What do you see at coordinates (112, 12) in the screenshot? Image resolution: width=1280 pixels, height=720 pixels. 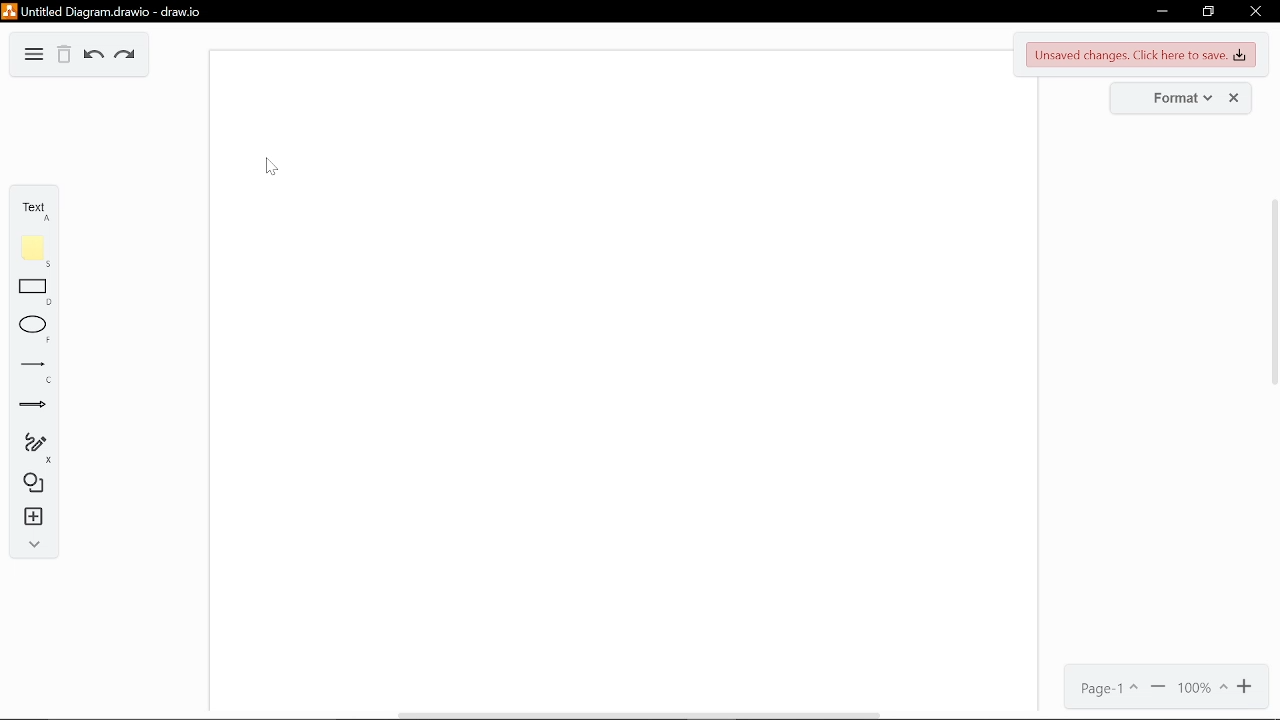 I see `Untitled Diagram.drawio - draw.io` at bounding box center [112, 12].